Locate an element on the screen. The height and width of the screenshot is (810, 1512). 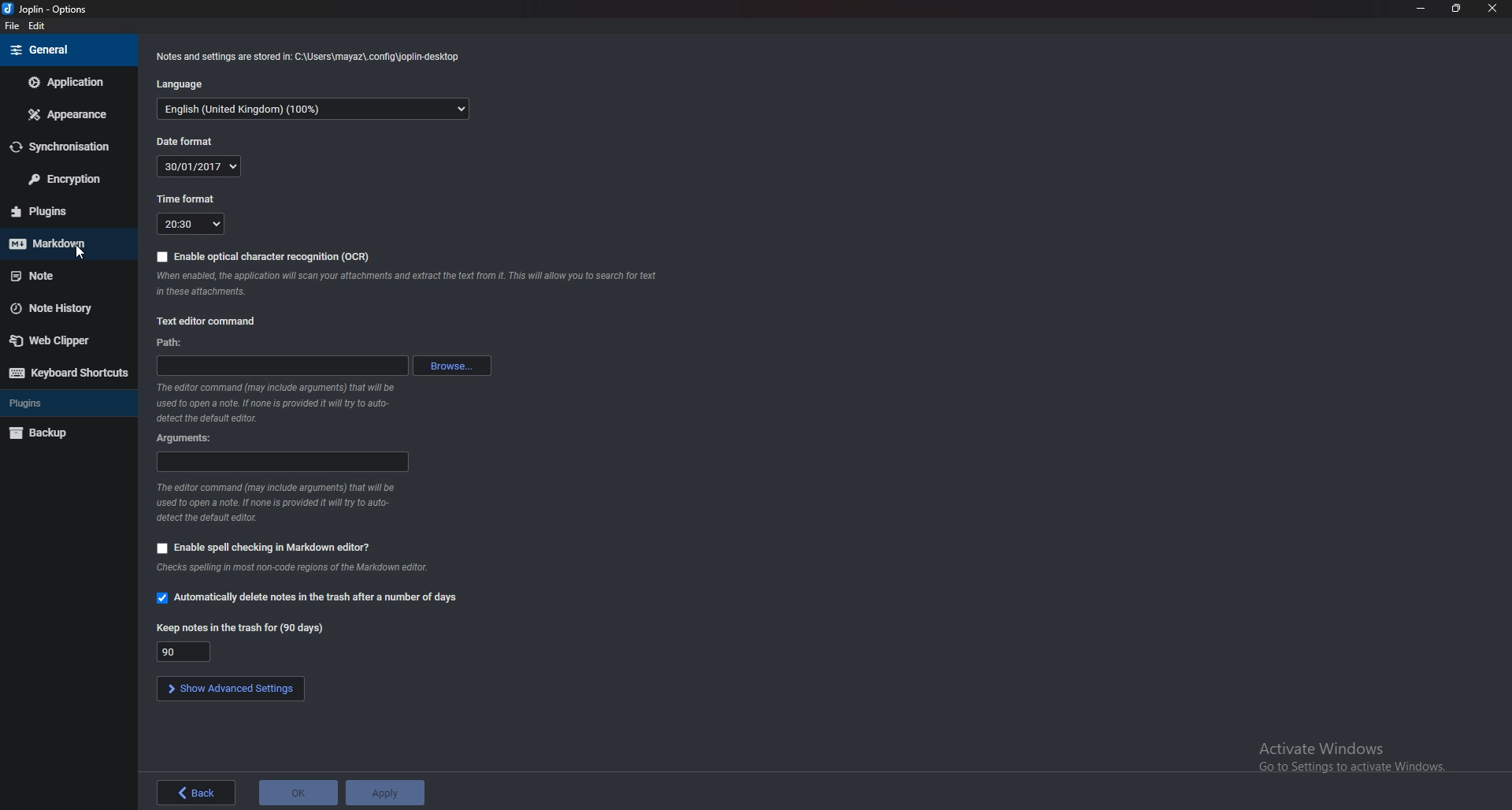
Encryption is located at coordinates (61, 179).